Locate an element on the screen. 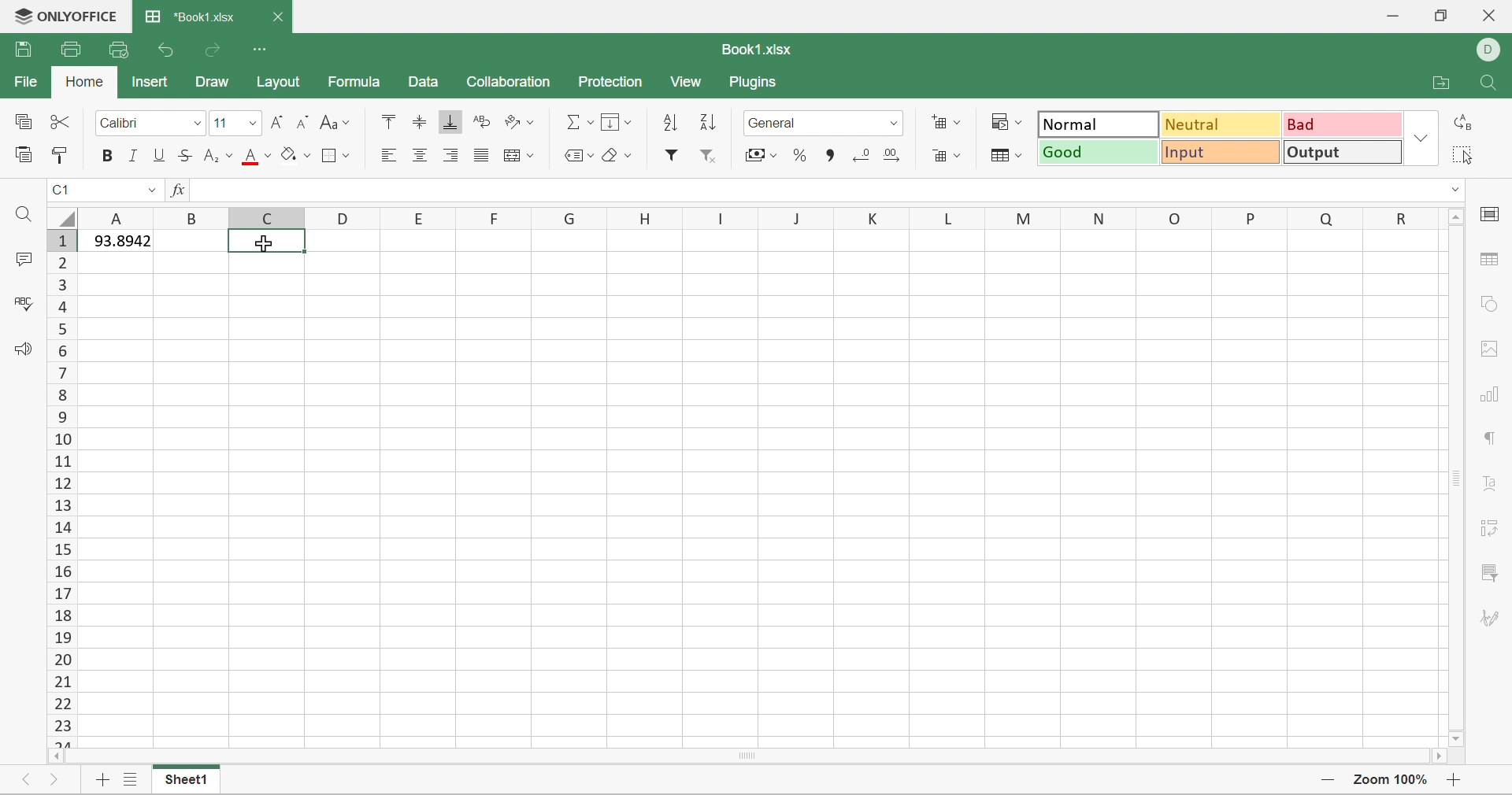 This screenshot has width=1512, height=795. Zoom out is located at coordinates (1323, 778).